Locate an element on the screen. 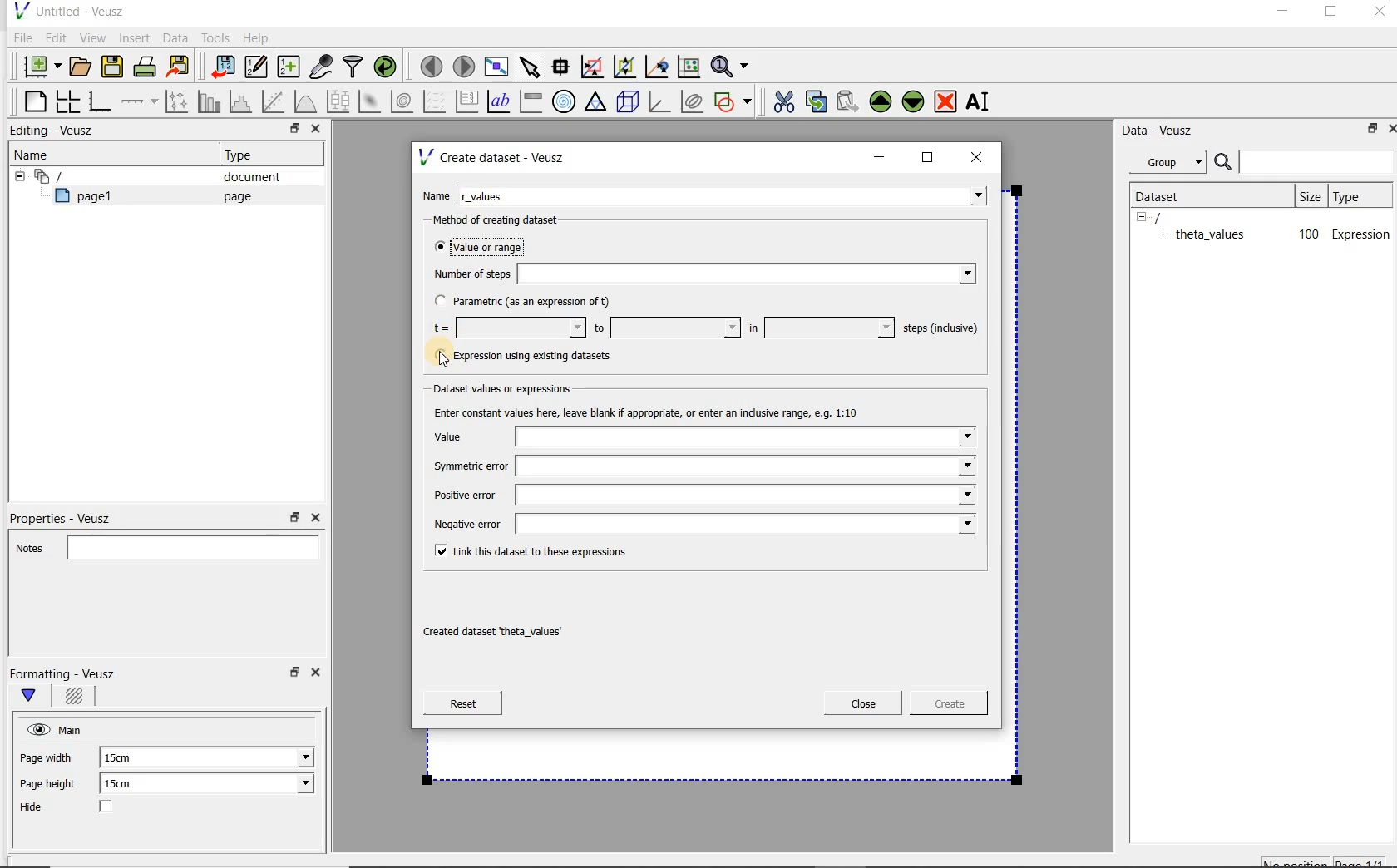  Value is located at coordinates (703, 437).